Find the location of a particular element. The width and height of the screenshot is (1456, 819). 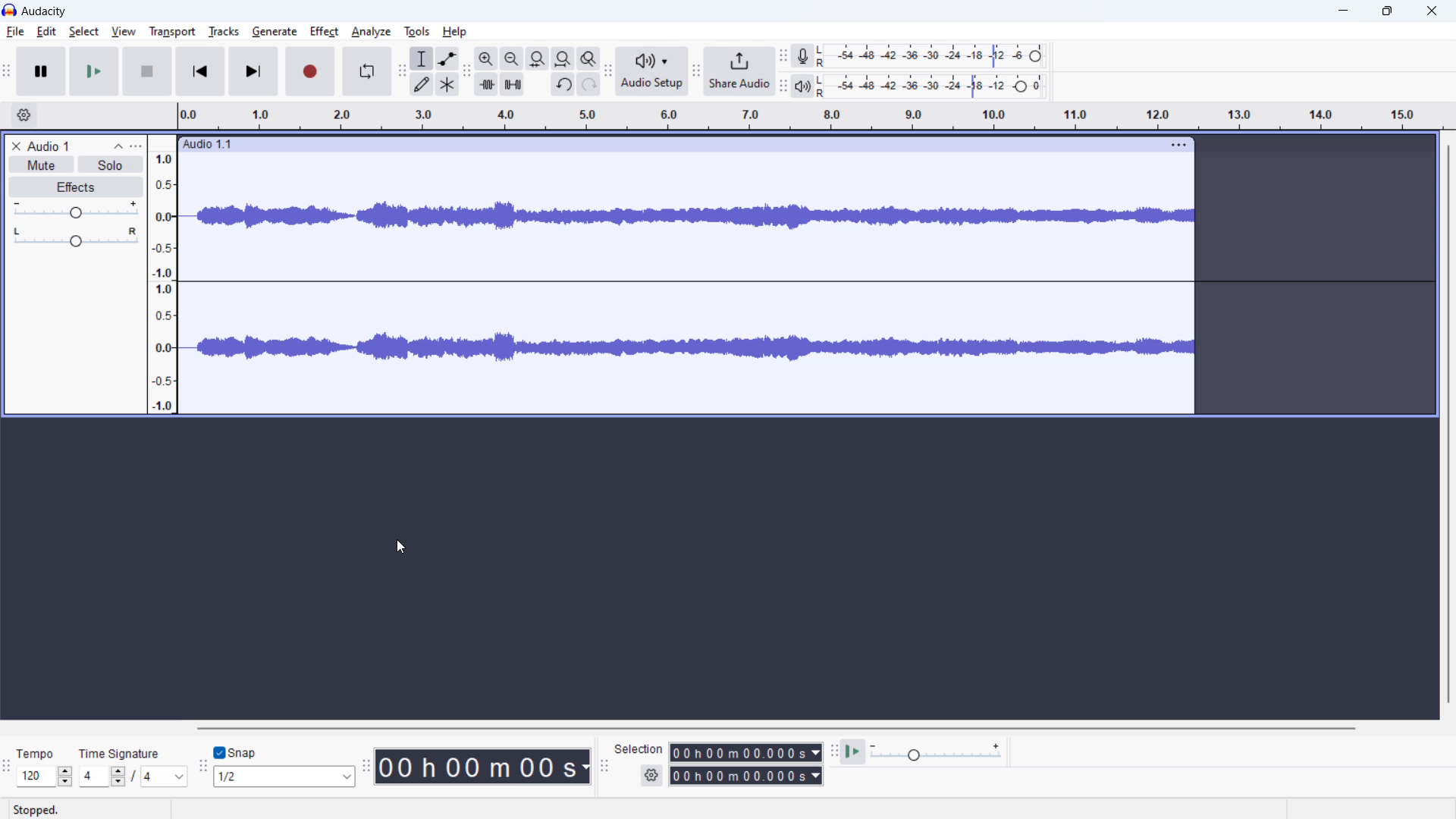

redo is located at coordinates (589, 84).